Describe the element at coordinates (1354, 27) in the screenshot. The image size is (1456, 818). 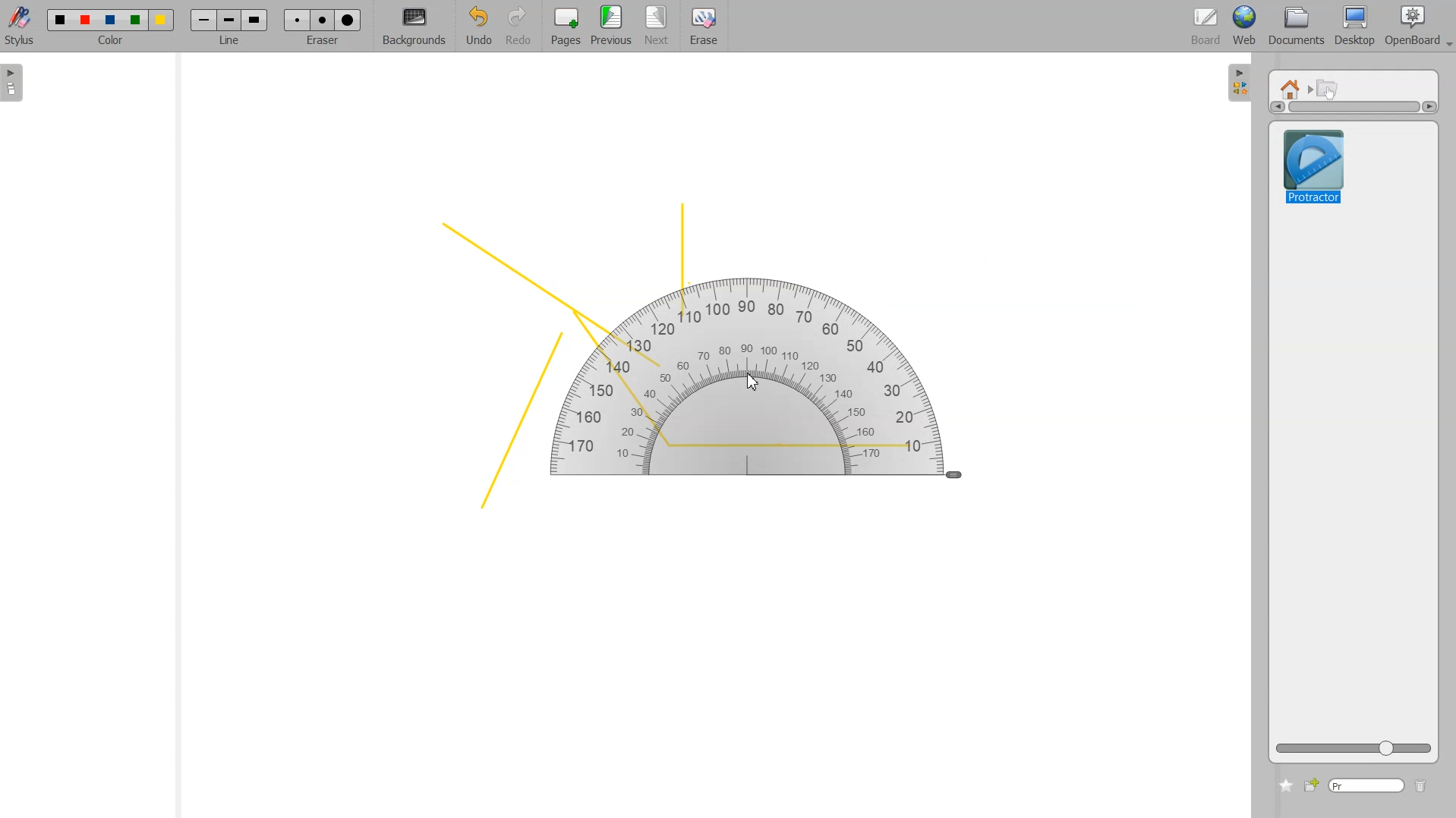
I see `Desktop` at that location.